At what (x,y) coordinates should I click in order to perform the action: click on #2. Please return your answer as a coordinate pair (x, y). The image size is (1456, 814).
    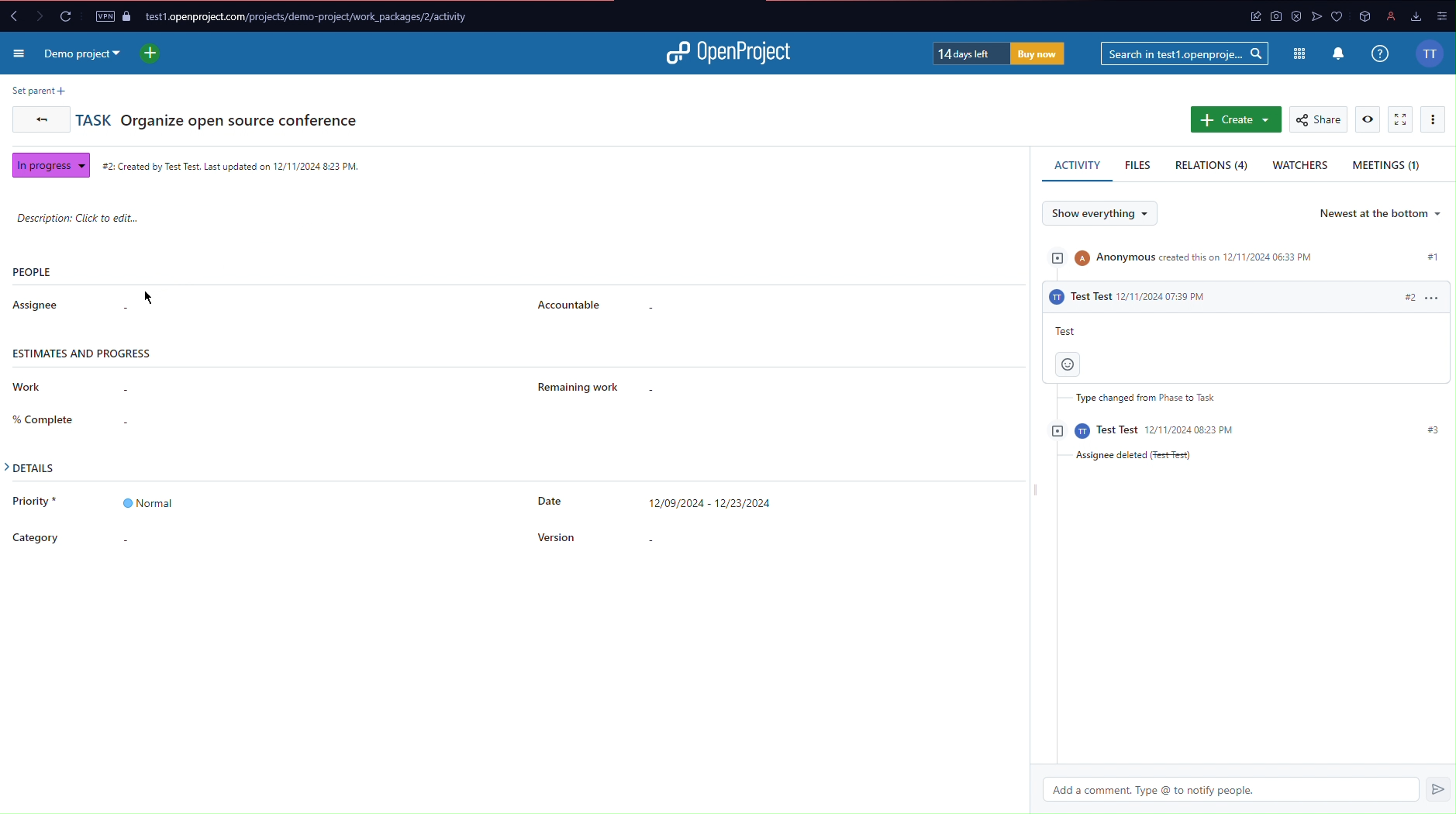
    Looking at the image, I should click on (1424, 296).